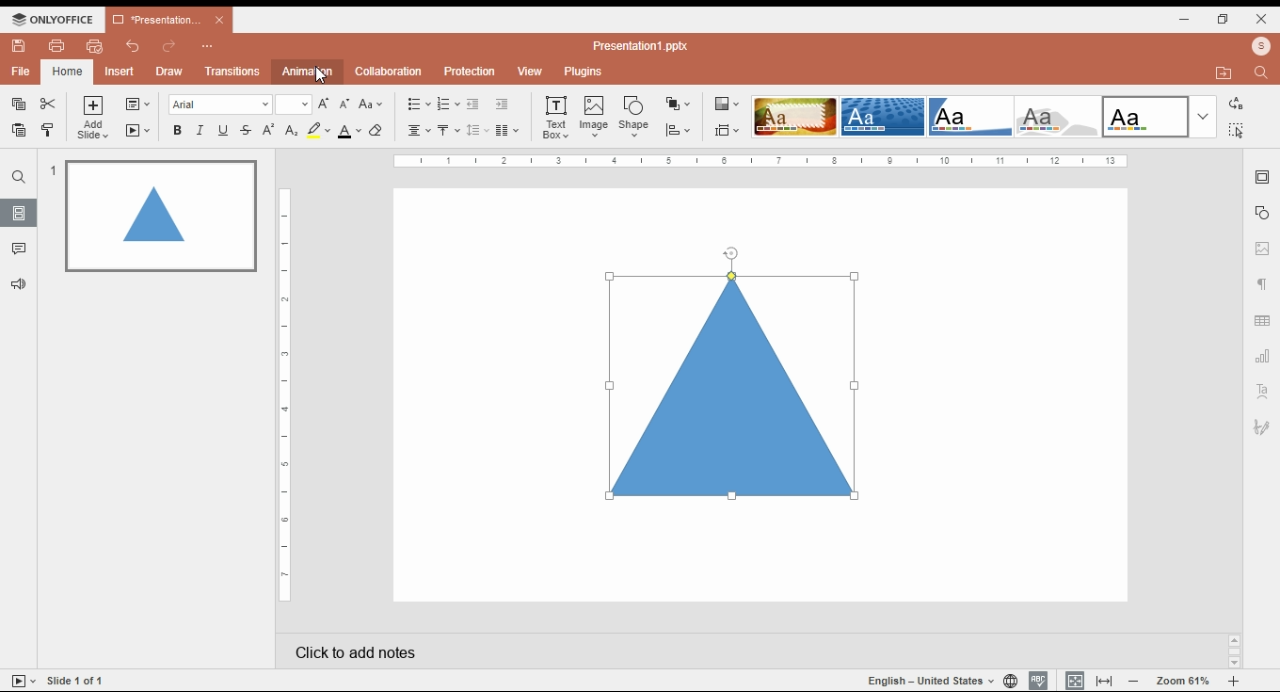 Image resolution: width=1280 pixels, height=692 pixels. What do you see at coordinates (24, 680) in the screenshot?
I see `start slideshow` at bounding box center [24, 680].